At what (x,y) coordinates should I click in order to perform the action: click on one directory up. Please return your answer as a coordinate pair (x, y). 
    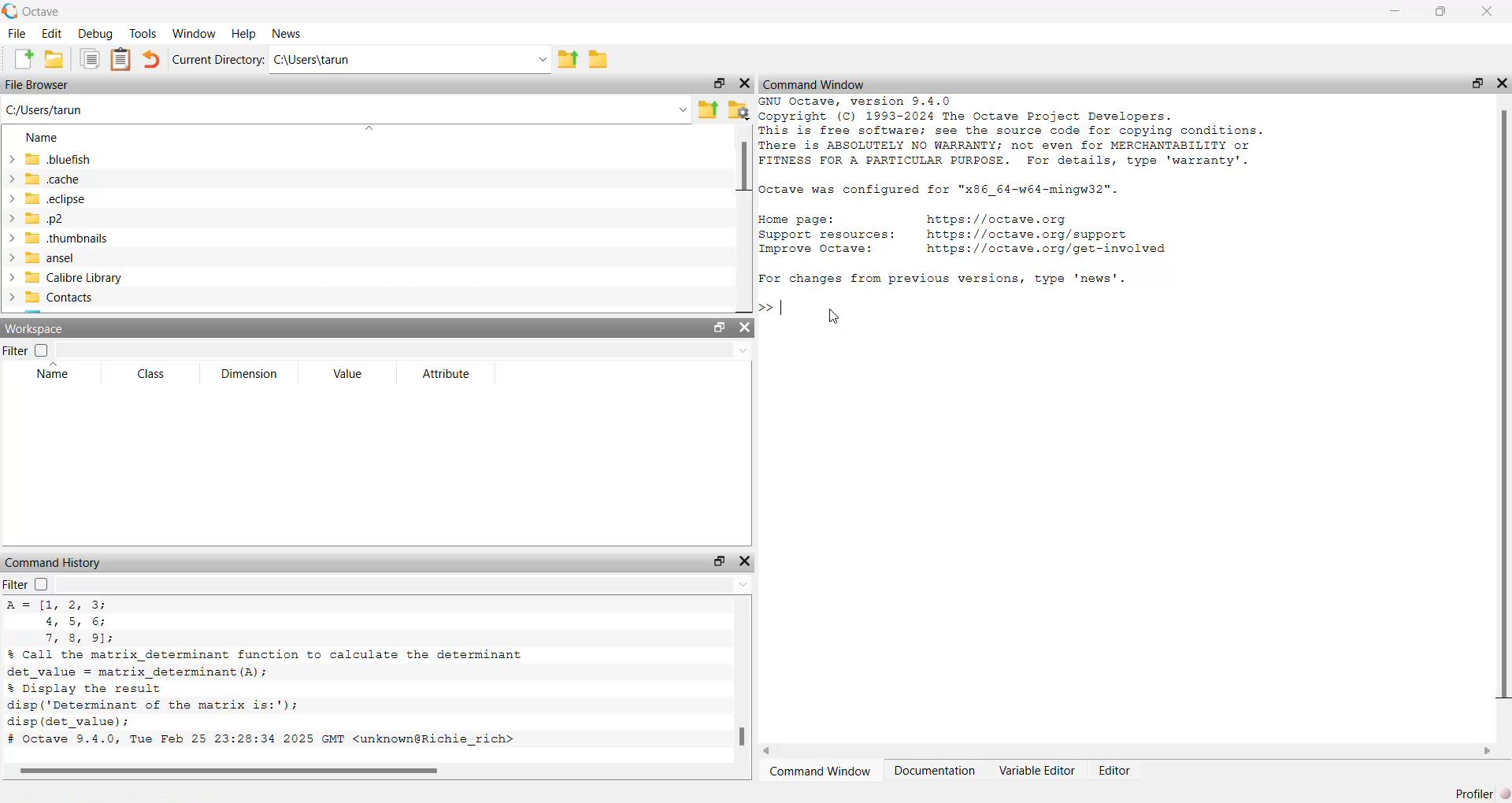
    Looking at the image, I should click on (707, 109).